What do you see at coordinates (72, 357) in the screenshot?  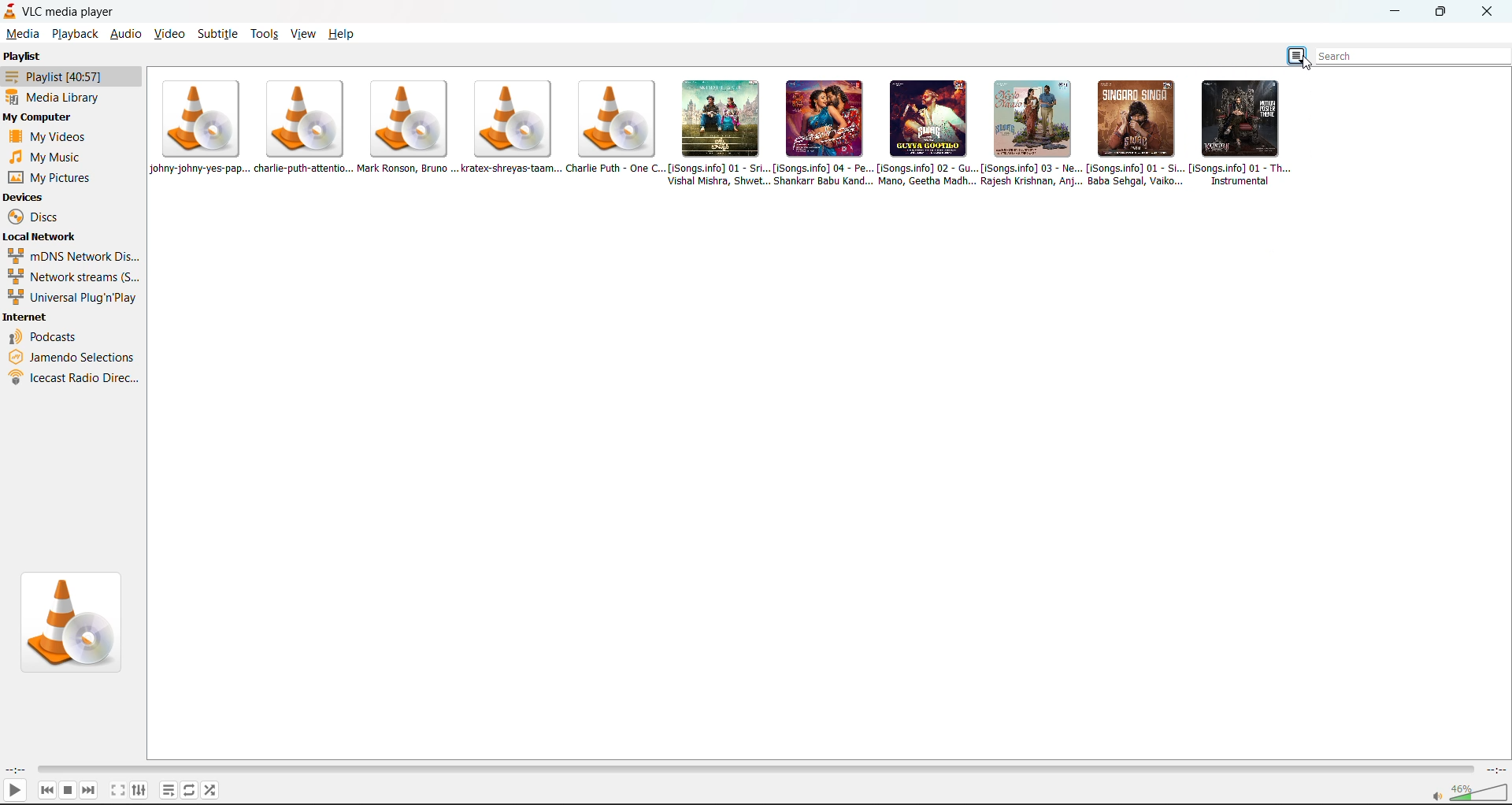 I see `jamendo selections` at bounding box center [72, 357].